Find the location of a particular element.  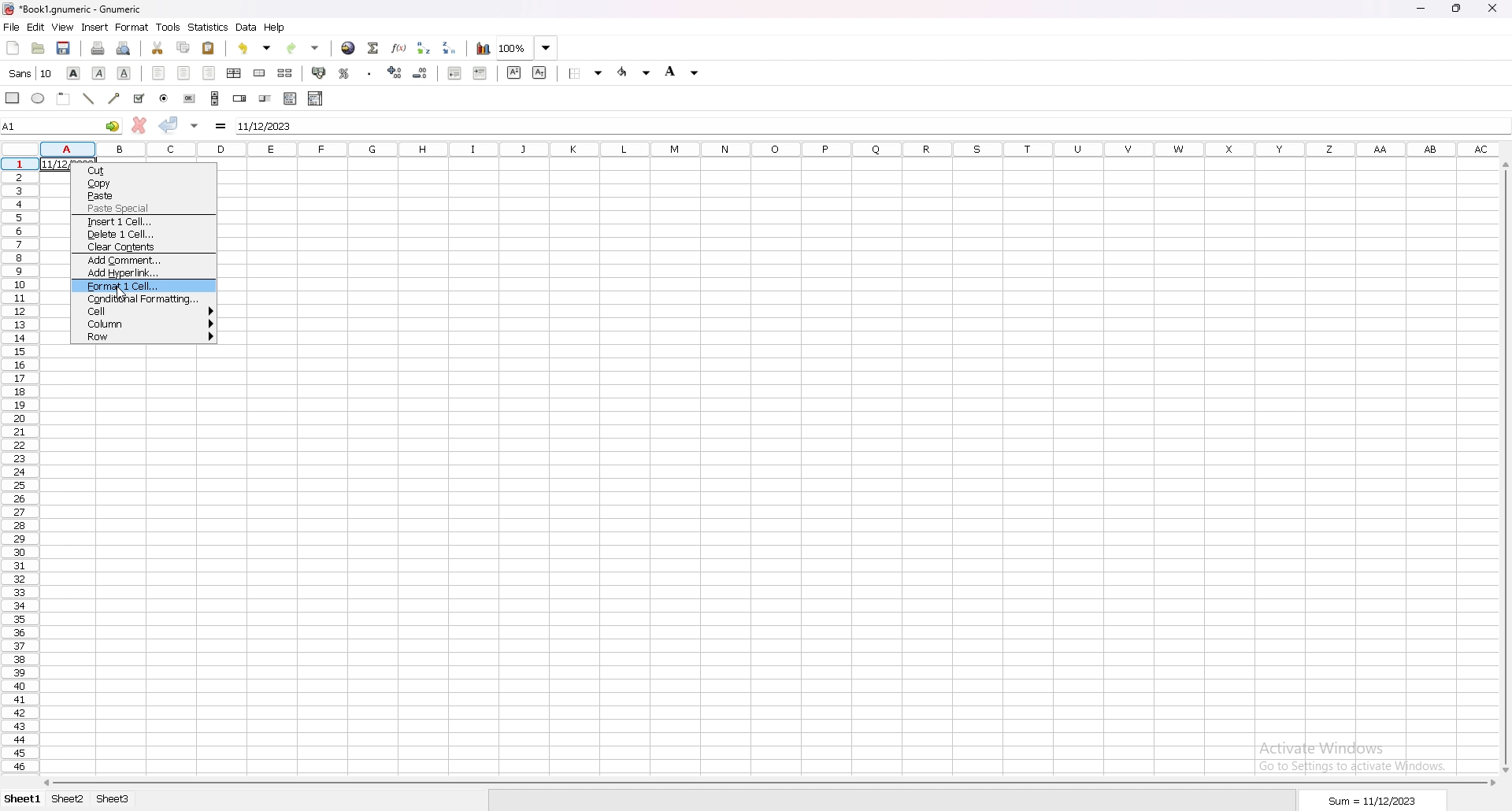

copy is located at coordinates (185, 46).